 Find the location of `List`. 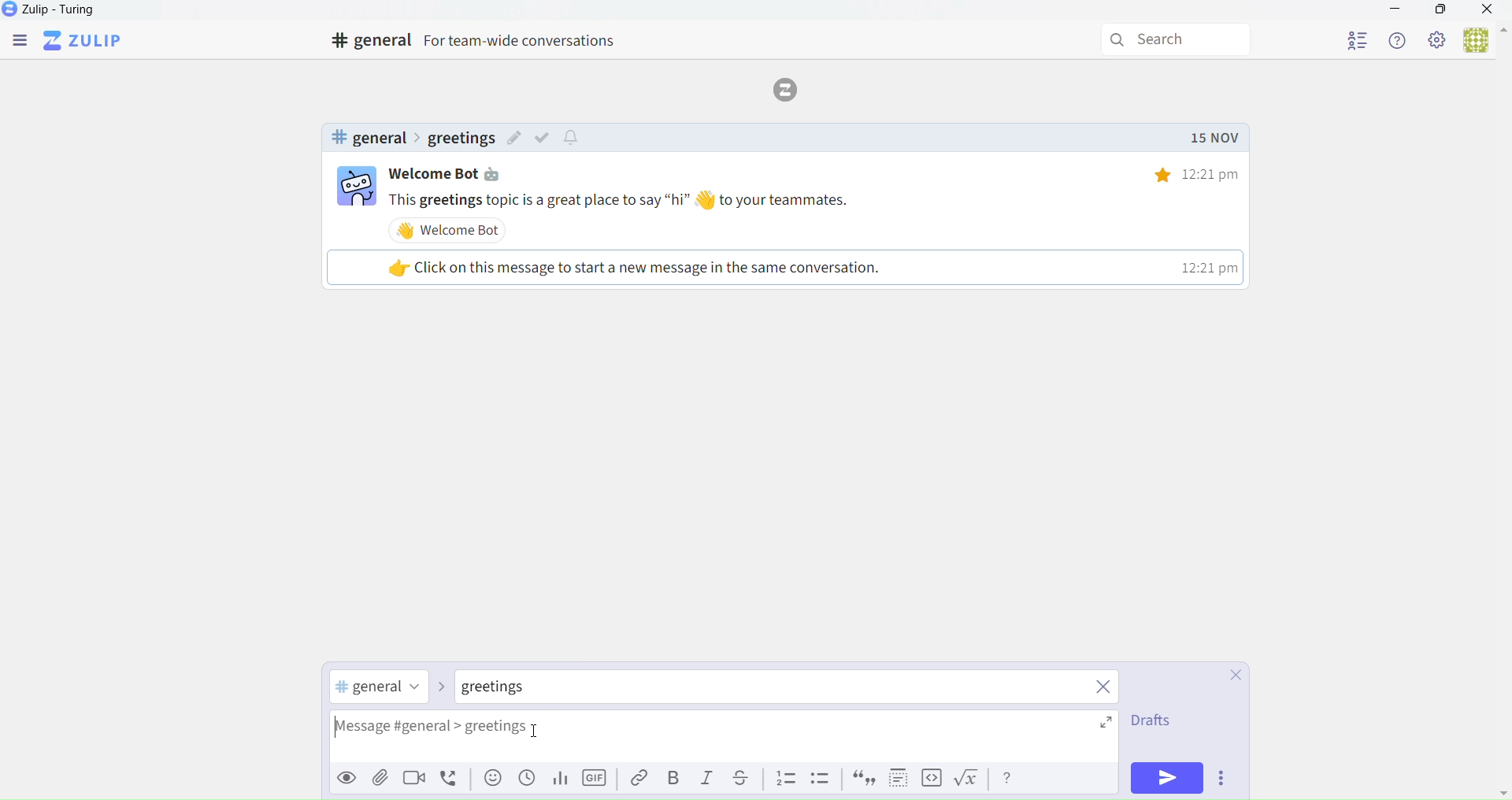

List is located at coordinates (786, 779).